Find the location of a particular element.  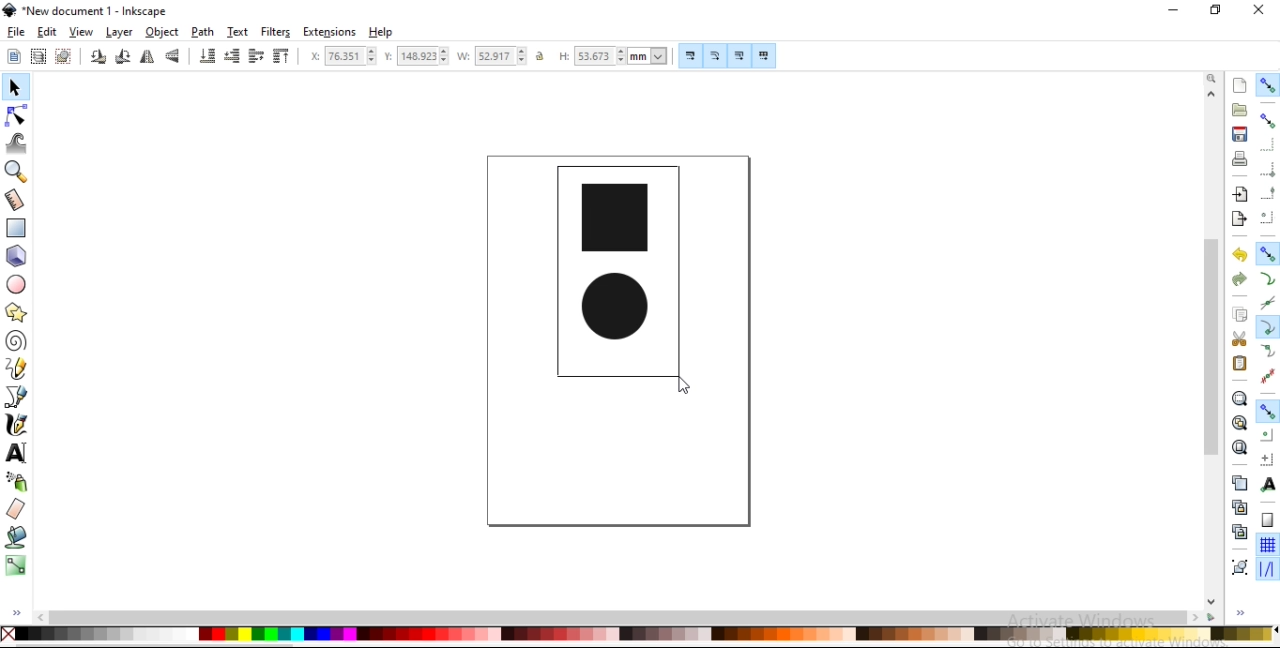

spray objects by sculpting or painting is located at coordinates (16, 482).